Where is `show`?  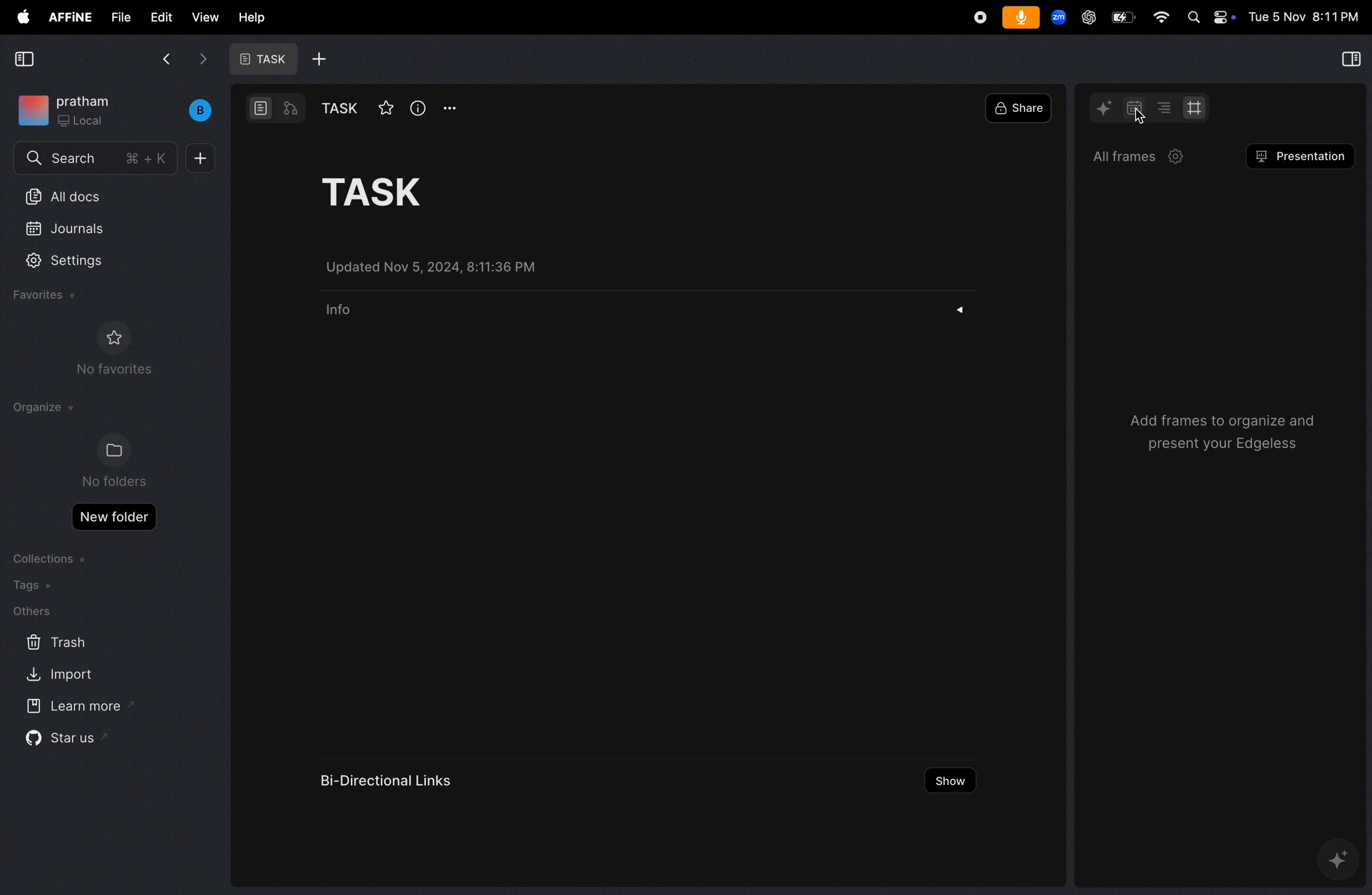 show is located at coordinates (949, 783).